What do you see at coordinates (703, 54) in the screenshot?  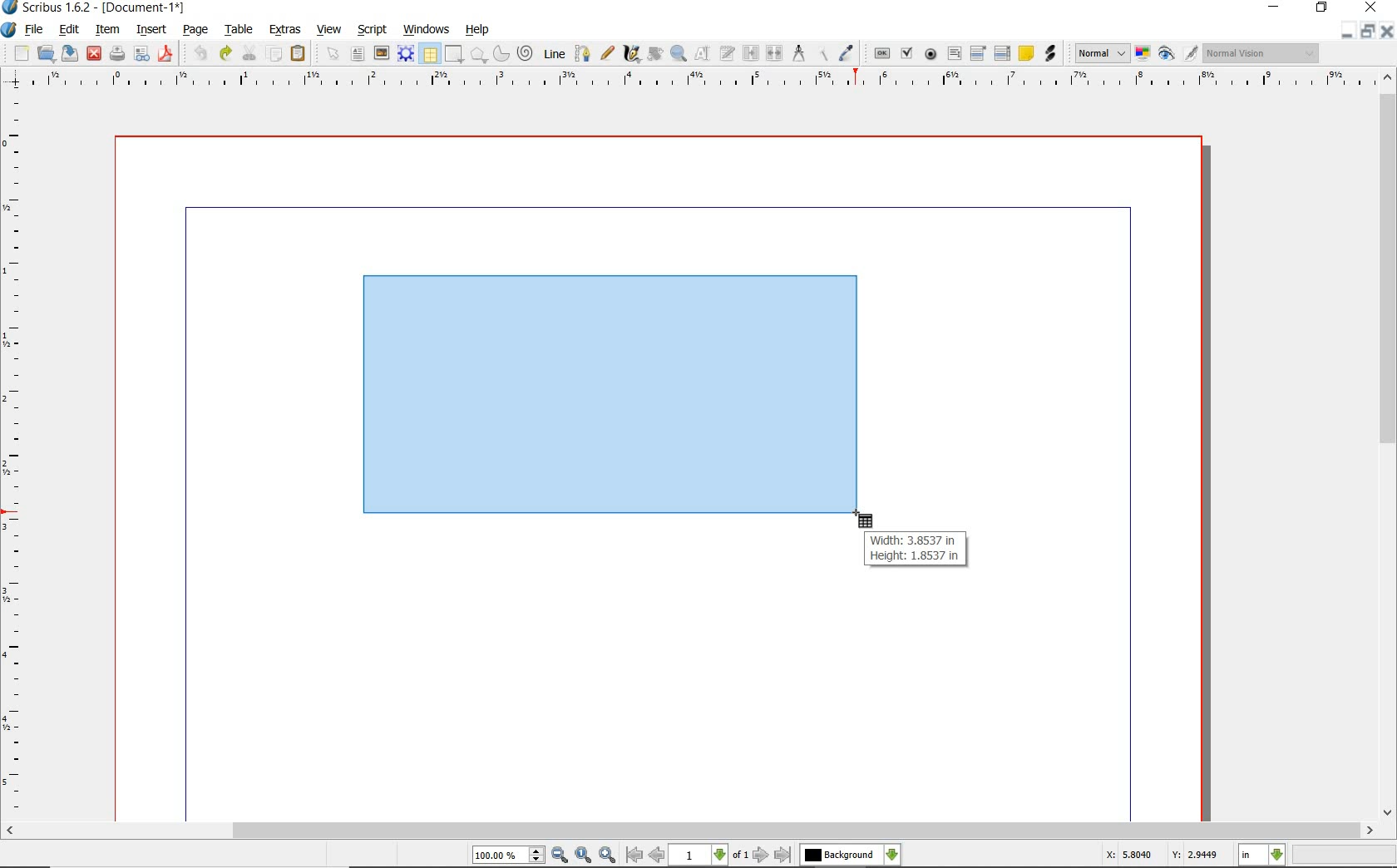 I see `edit contents of frame` at bounding box center [703, 54].